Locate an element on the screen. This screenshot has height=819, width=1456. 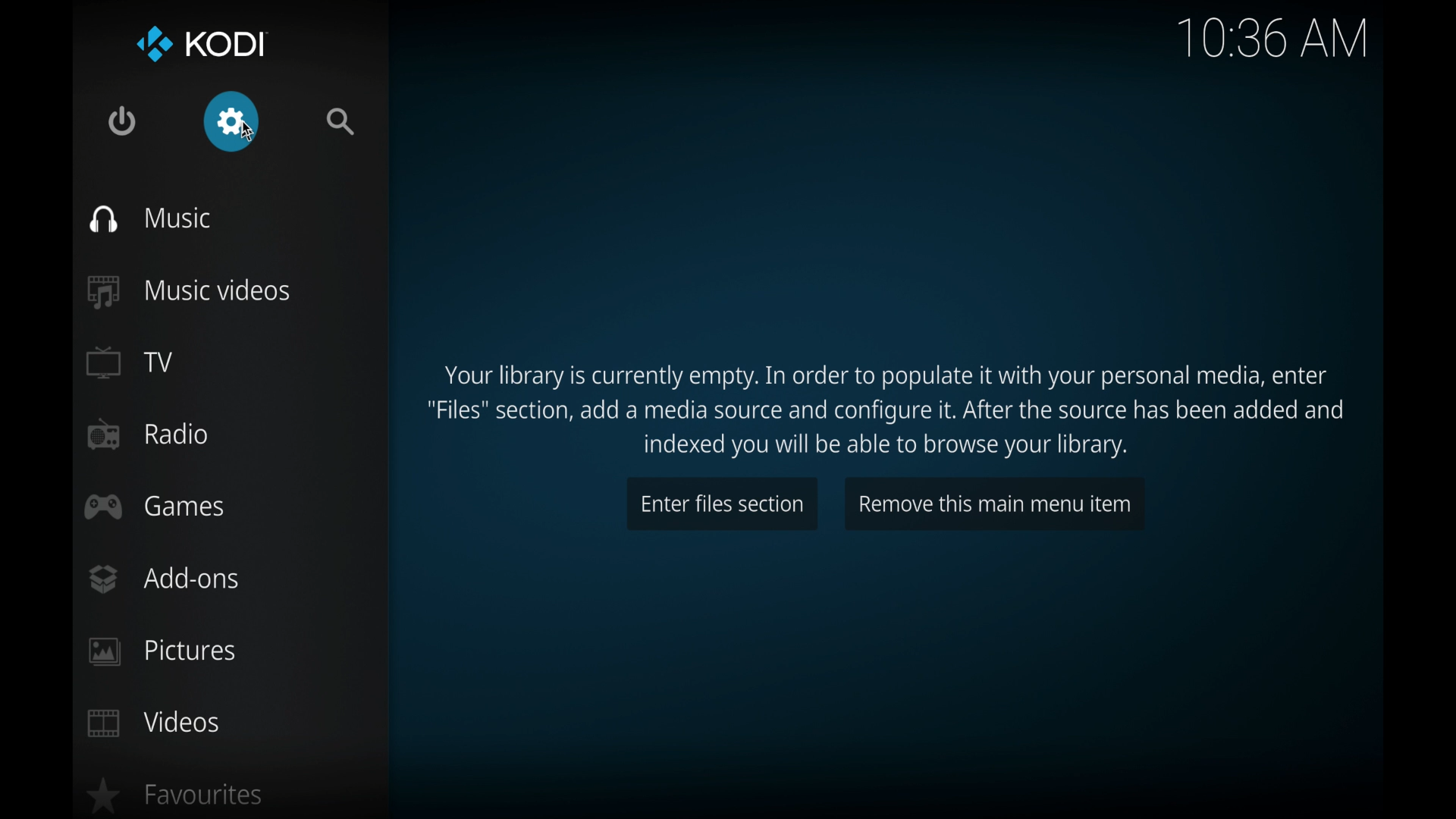
music videos is located at coordinates (190, 292).